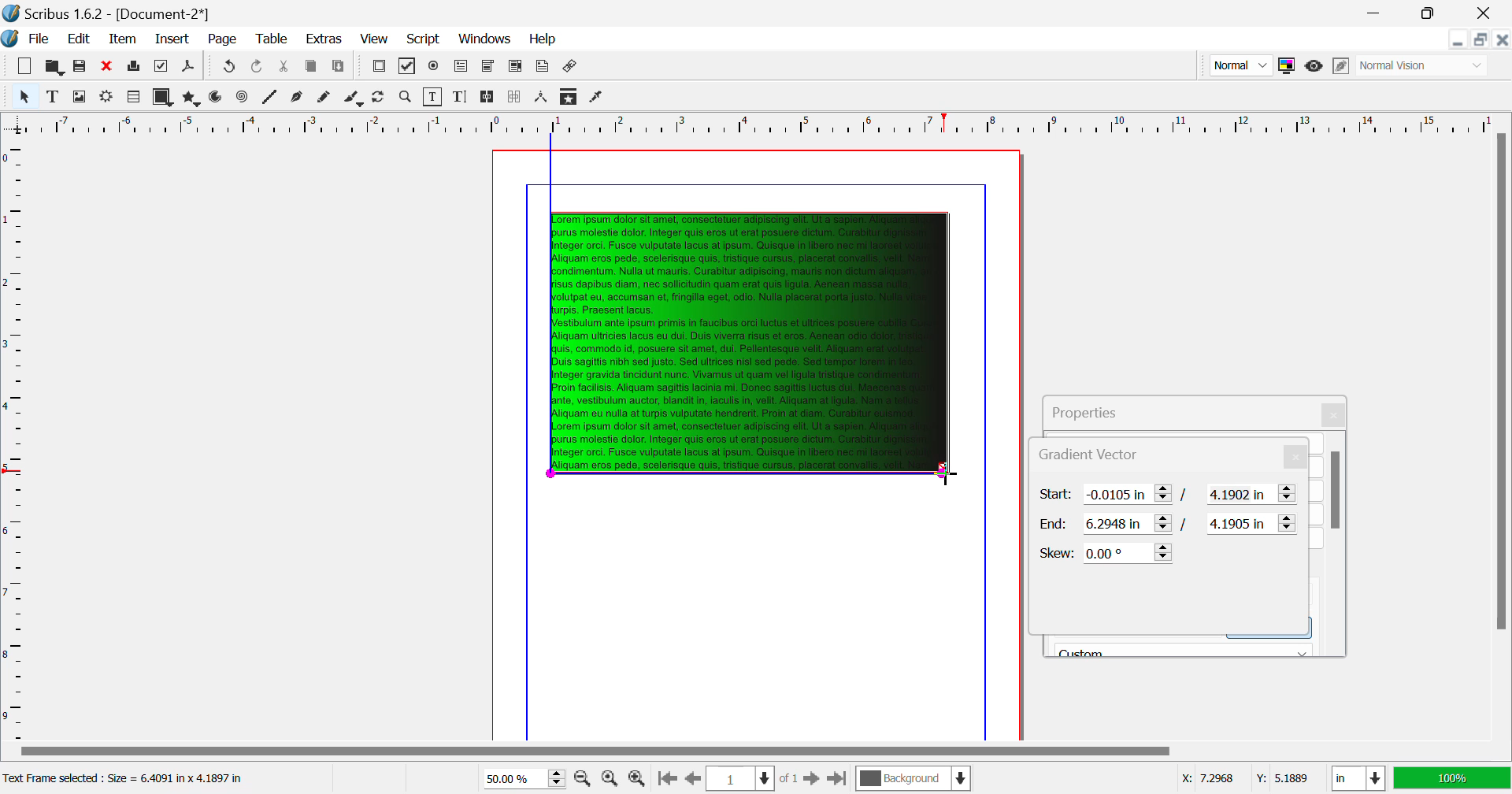 Image resolution: width=1512 pixels, height=794 pixels. I want to click on Link Annotation, so click(572, 68).